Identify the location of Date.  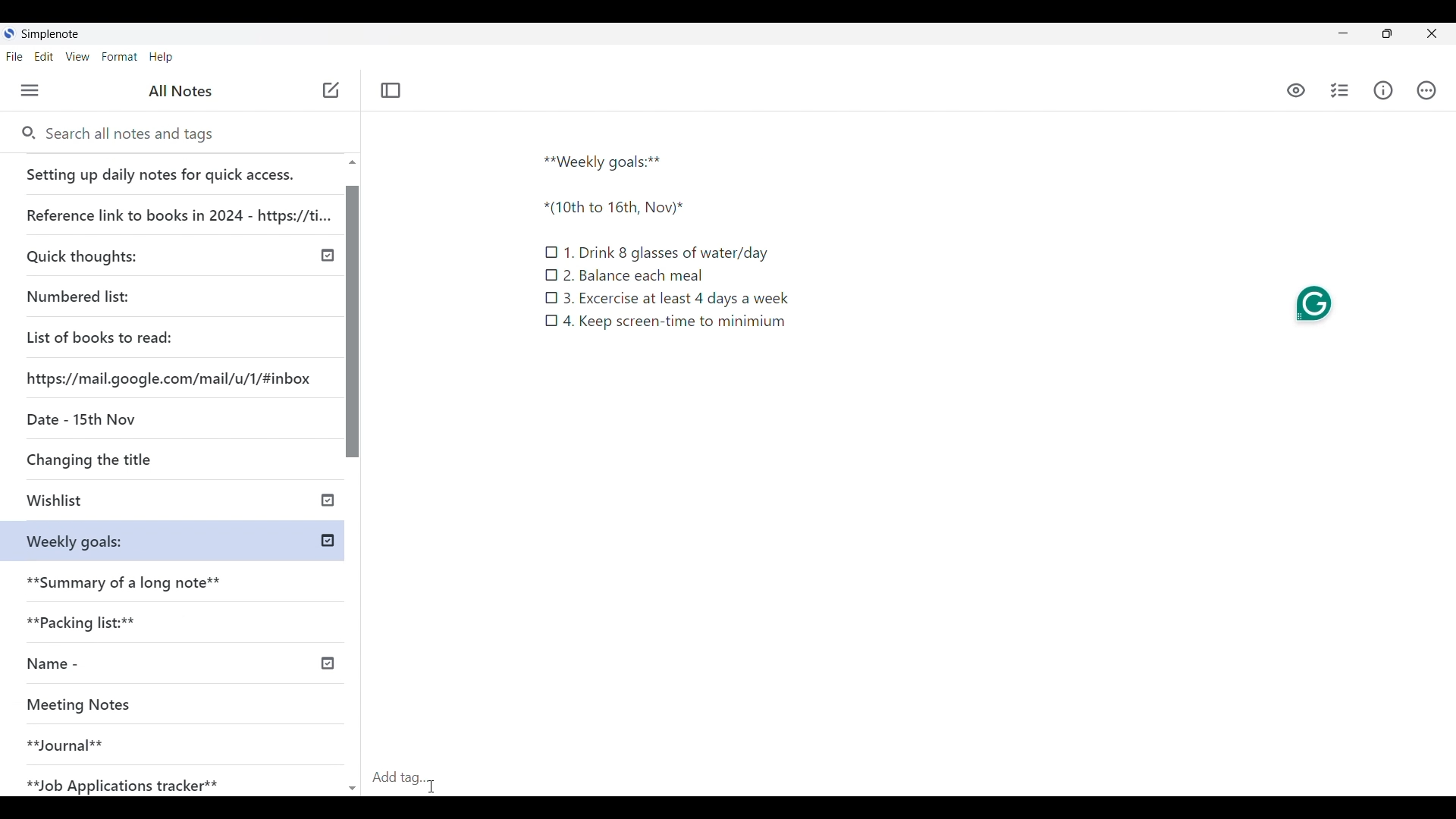
(78, 418).